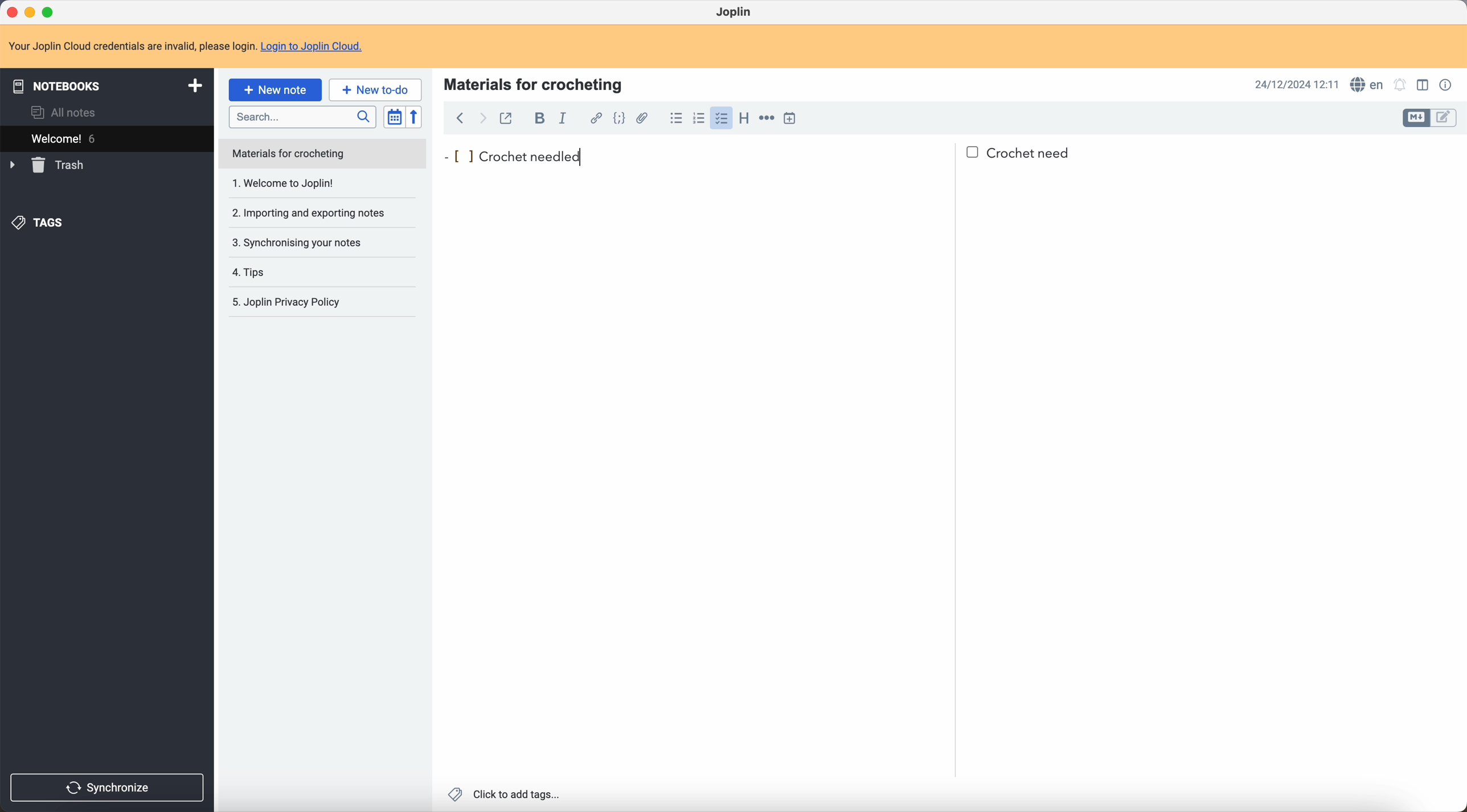  I want to click on note properties, so click(1447, 85).